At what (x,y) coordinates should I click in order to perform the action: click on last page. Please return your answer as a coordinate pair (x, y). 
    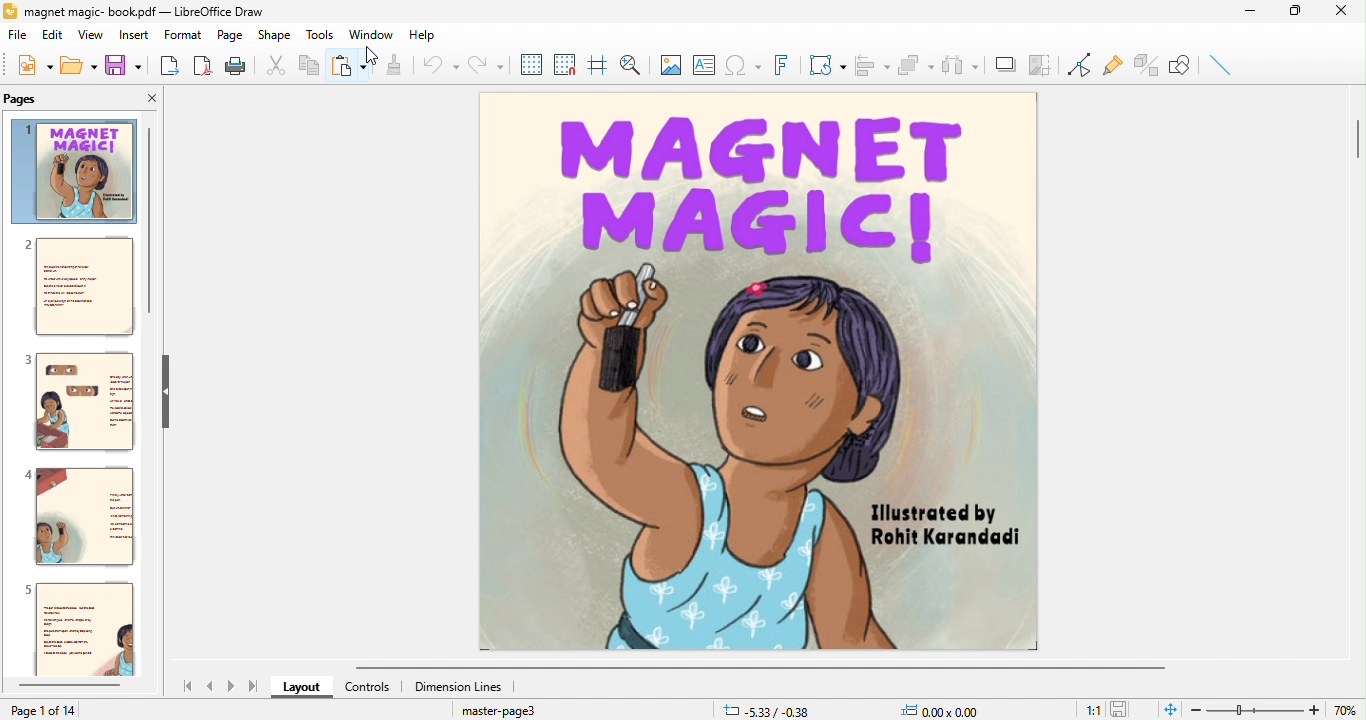
    Looking at the image, I should click on (254, 689).